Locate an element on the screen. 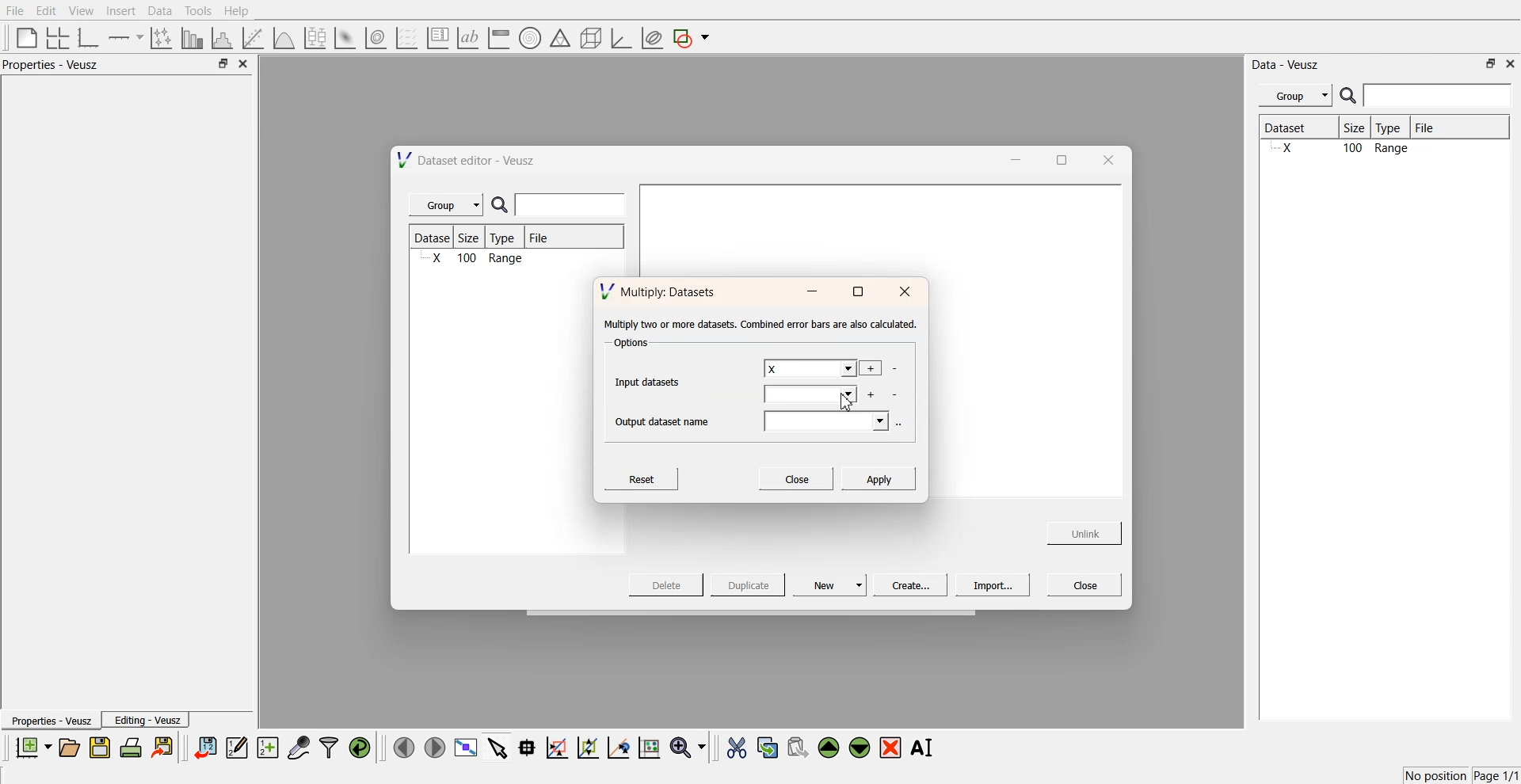  Create... is located at coordinates (908, 584).